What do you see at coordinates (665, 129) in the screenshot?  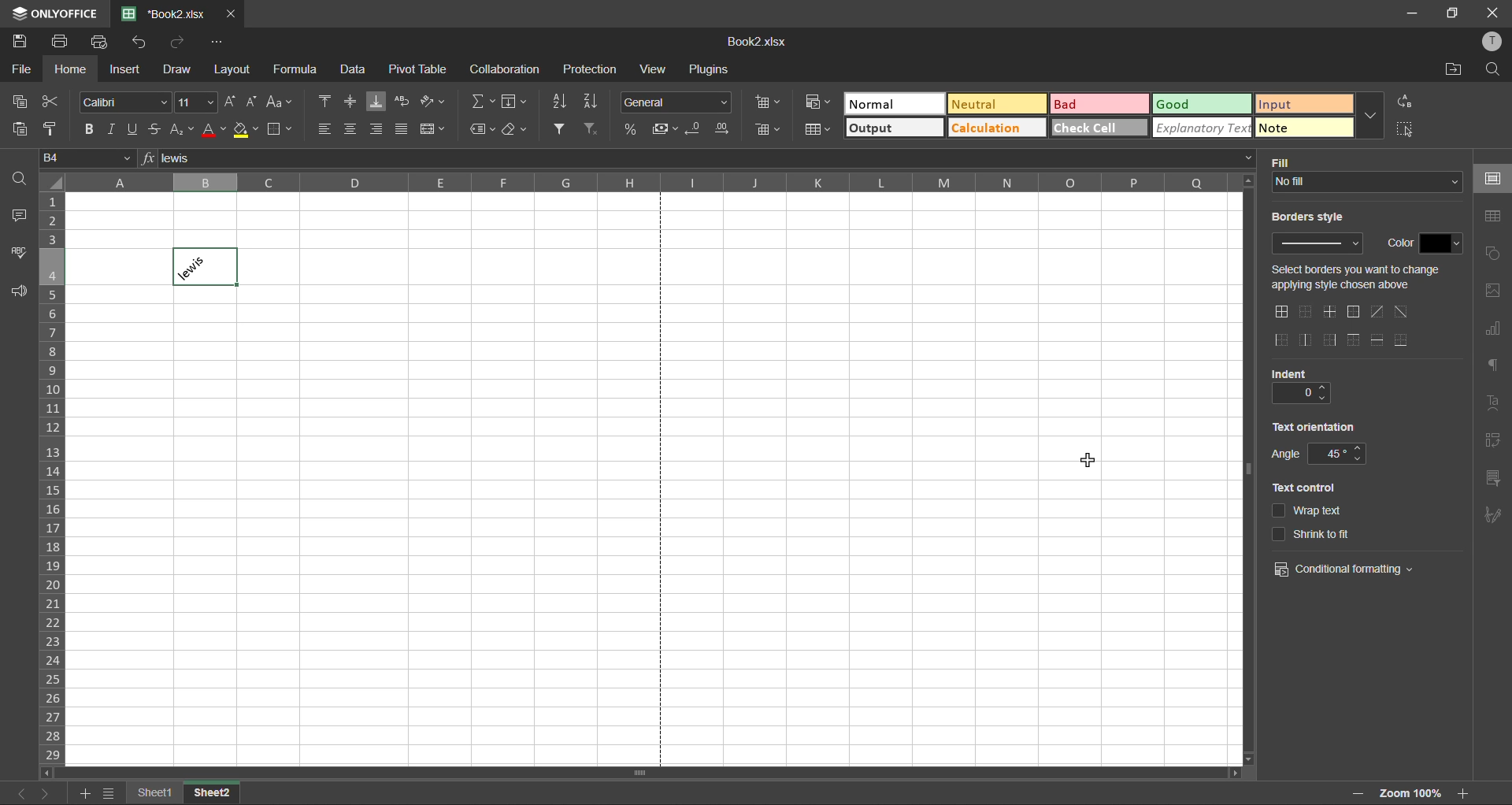 I see `accounting` at bounding box center [665, 129].